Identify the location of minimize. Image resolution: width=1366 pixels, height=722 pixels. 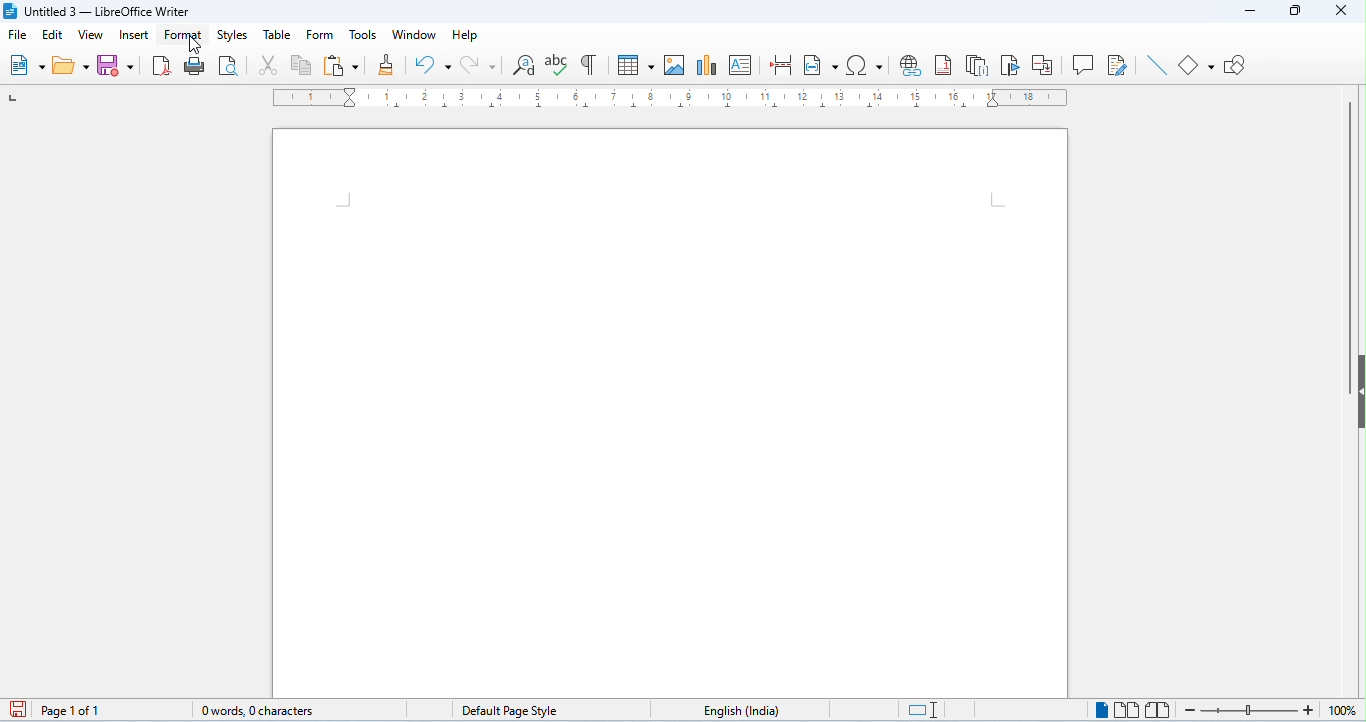
(1251, 12).